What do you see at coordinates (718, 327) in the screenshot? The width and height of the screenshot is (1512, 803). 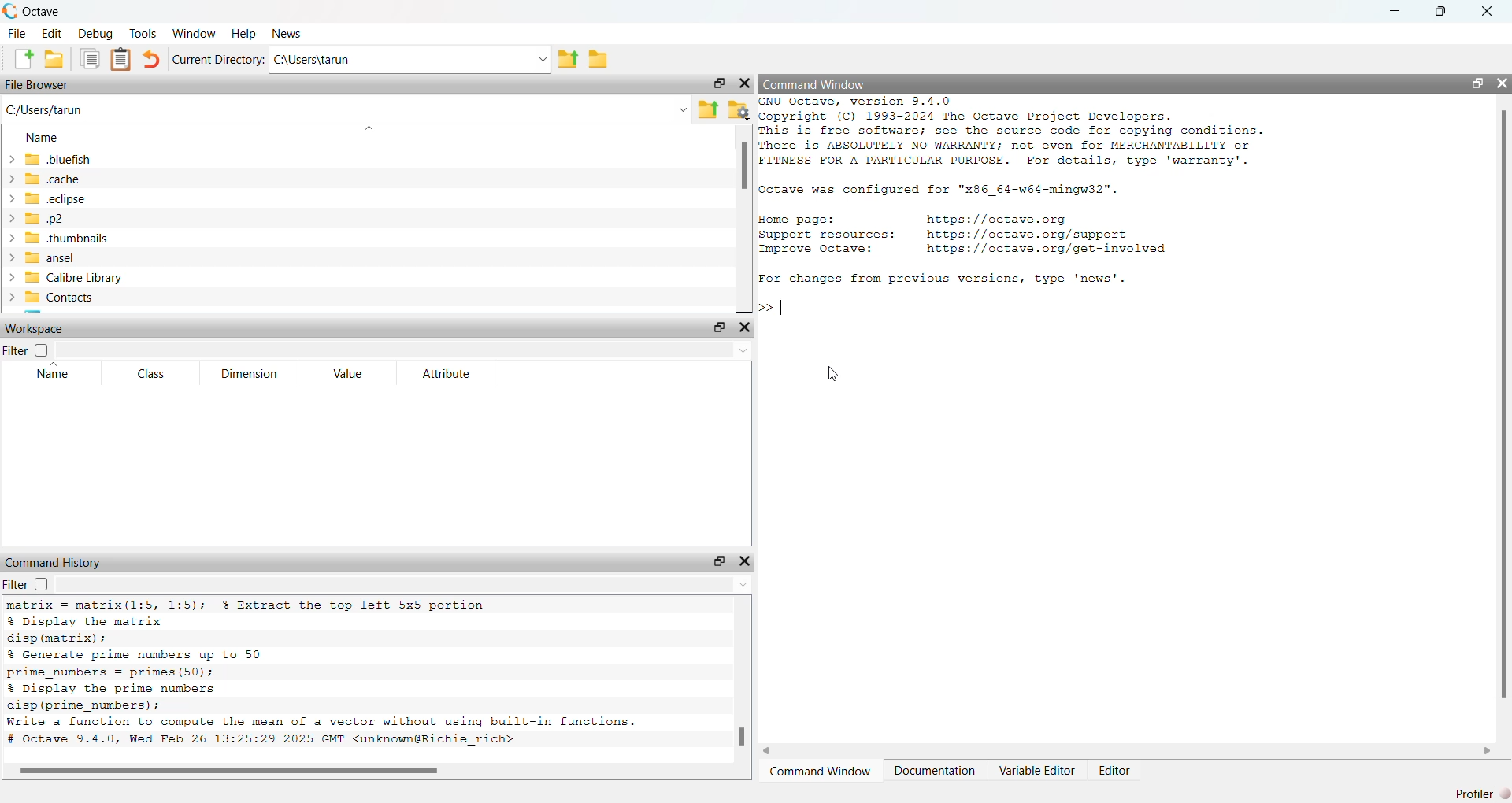 I see `open in separate window` at bounding box center [718, 327].